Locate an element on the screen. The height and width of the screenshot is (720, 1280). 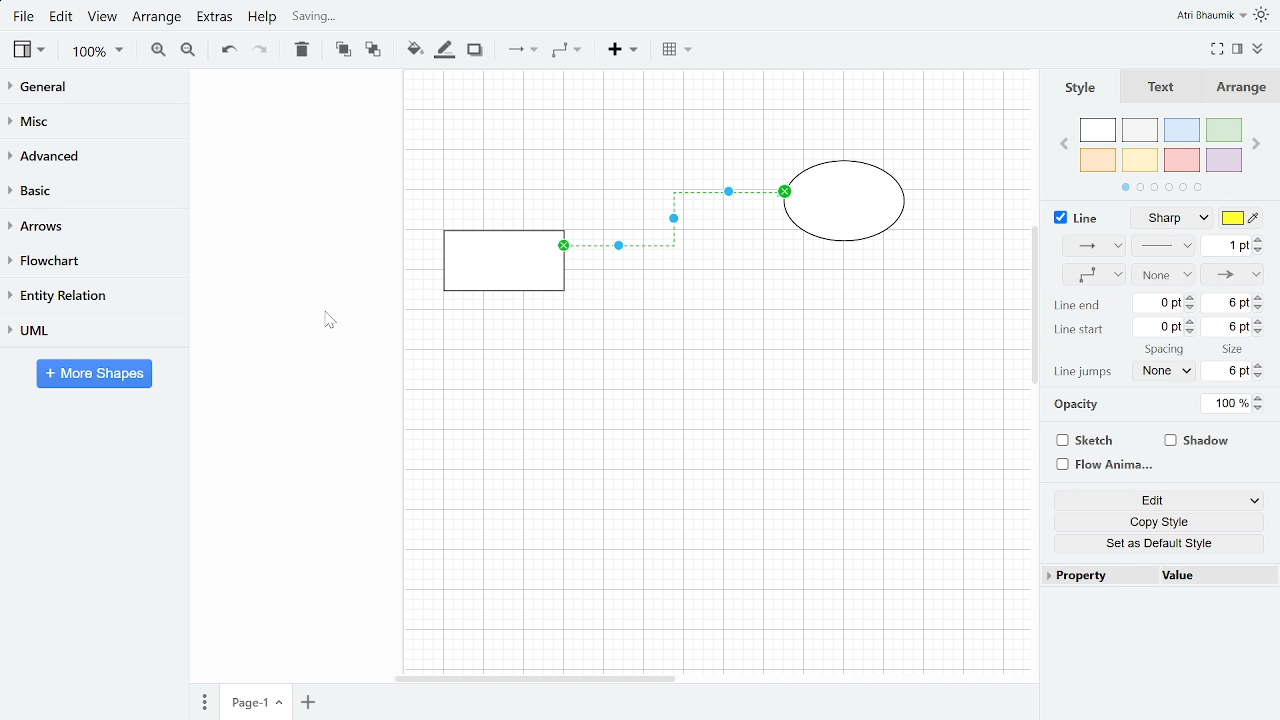
green is located at coordinates (1225, 132).